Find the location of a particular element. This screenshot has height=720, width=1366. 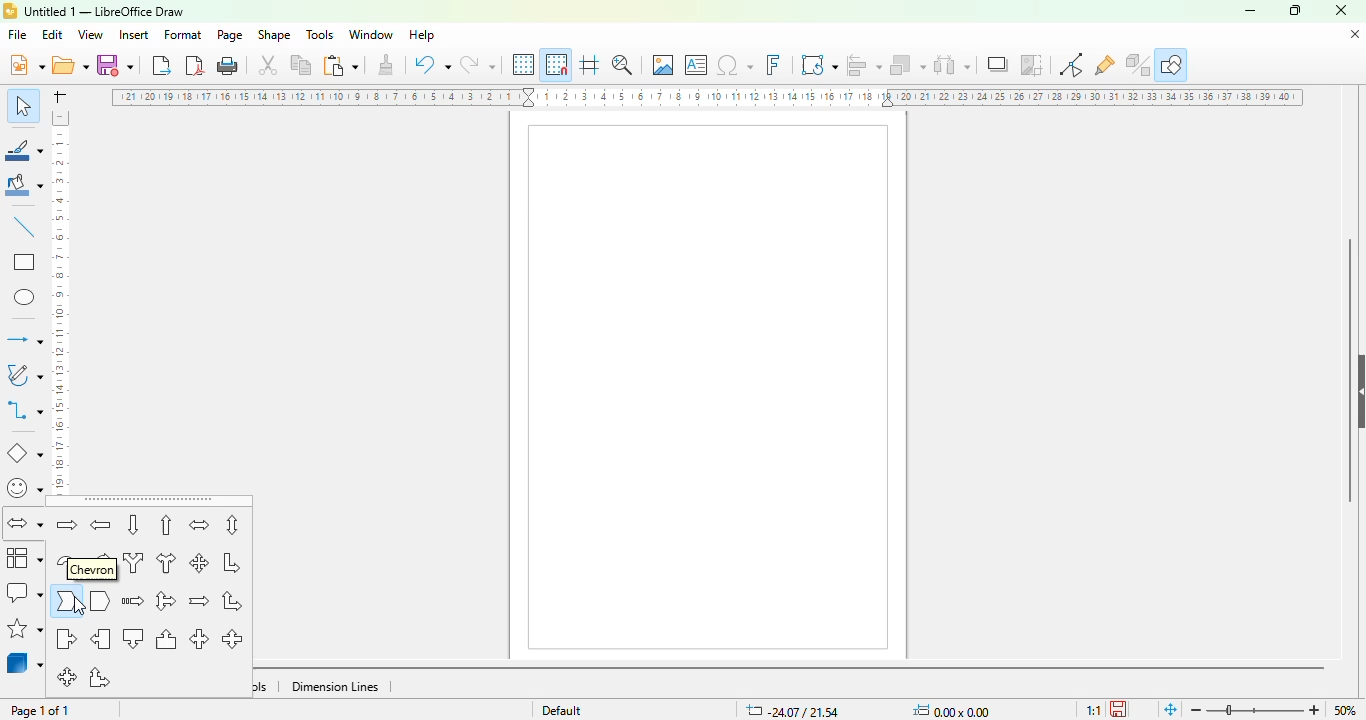

down arrow is located at coordinates (134, 525).